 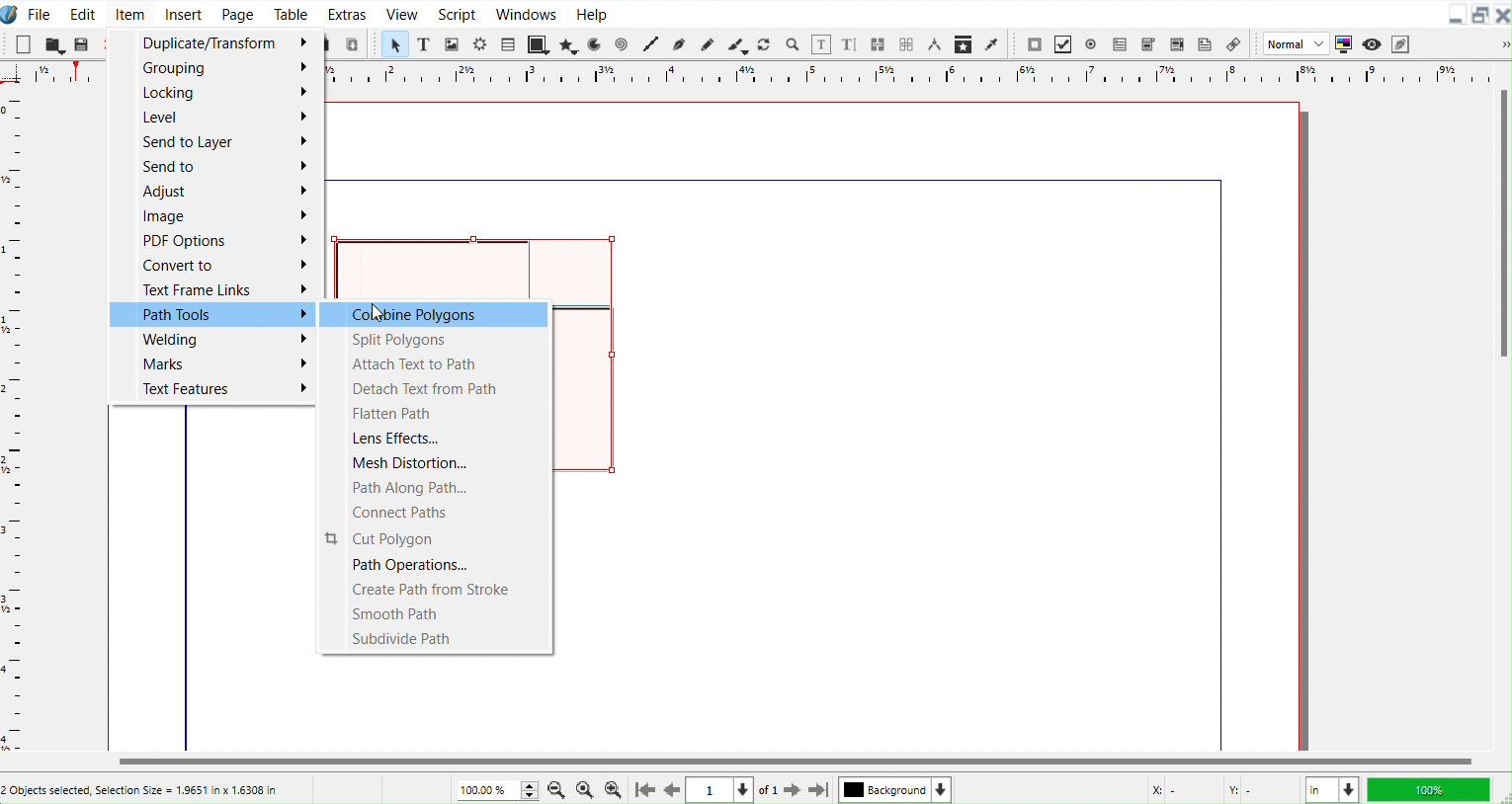 What do you see at coordinates (184, 13) in the screenshot?
I see `Insert` at bounding box center [184, 13].